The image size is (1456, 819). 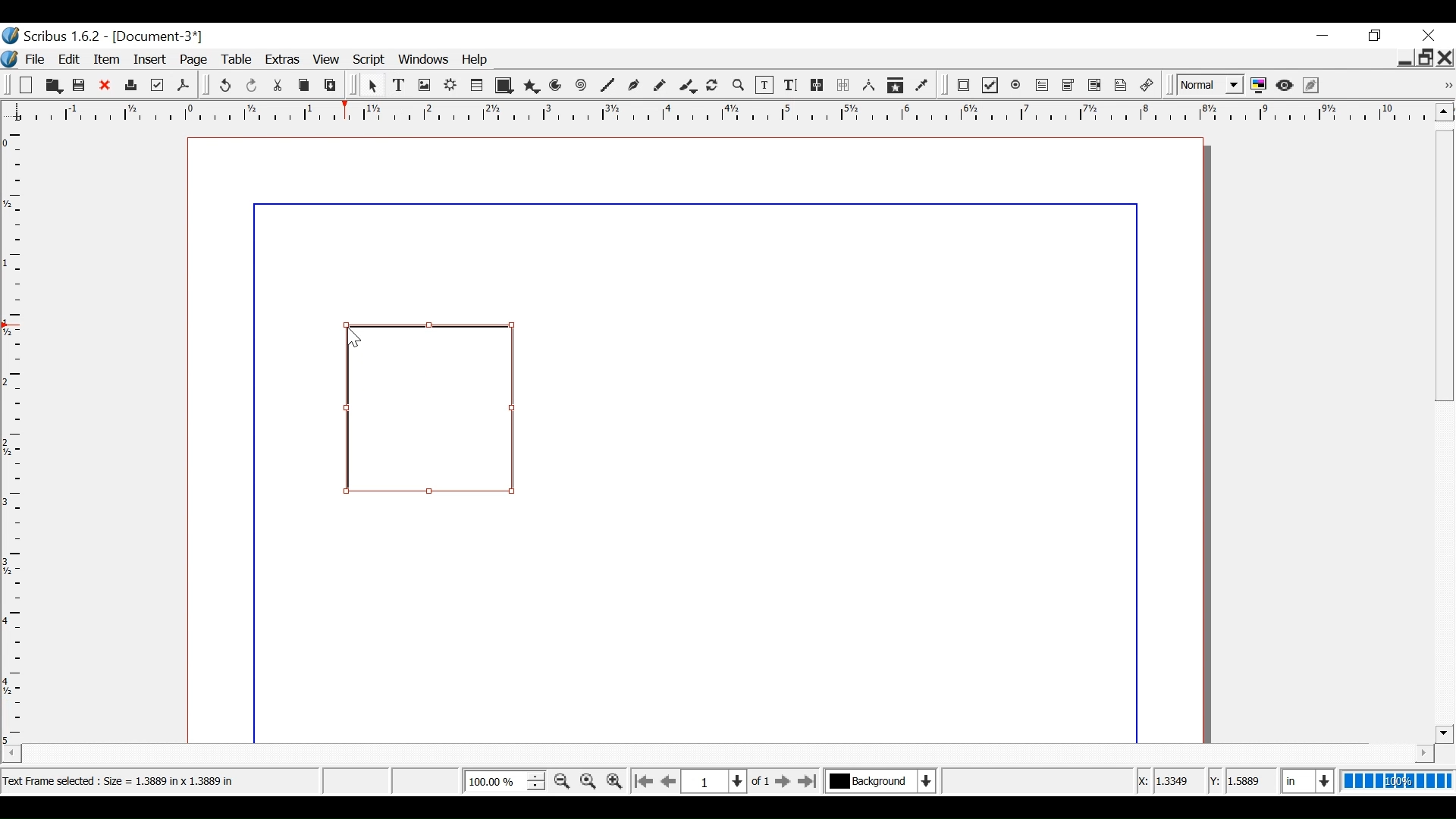 What do you see at coordinates (877, 780) in the screenshot?
I see `Select the current layer` at bounding box center [877, 780].